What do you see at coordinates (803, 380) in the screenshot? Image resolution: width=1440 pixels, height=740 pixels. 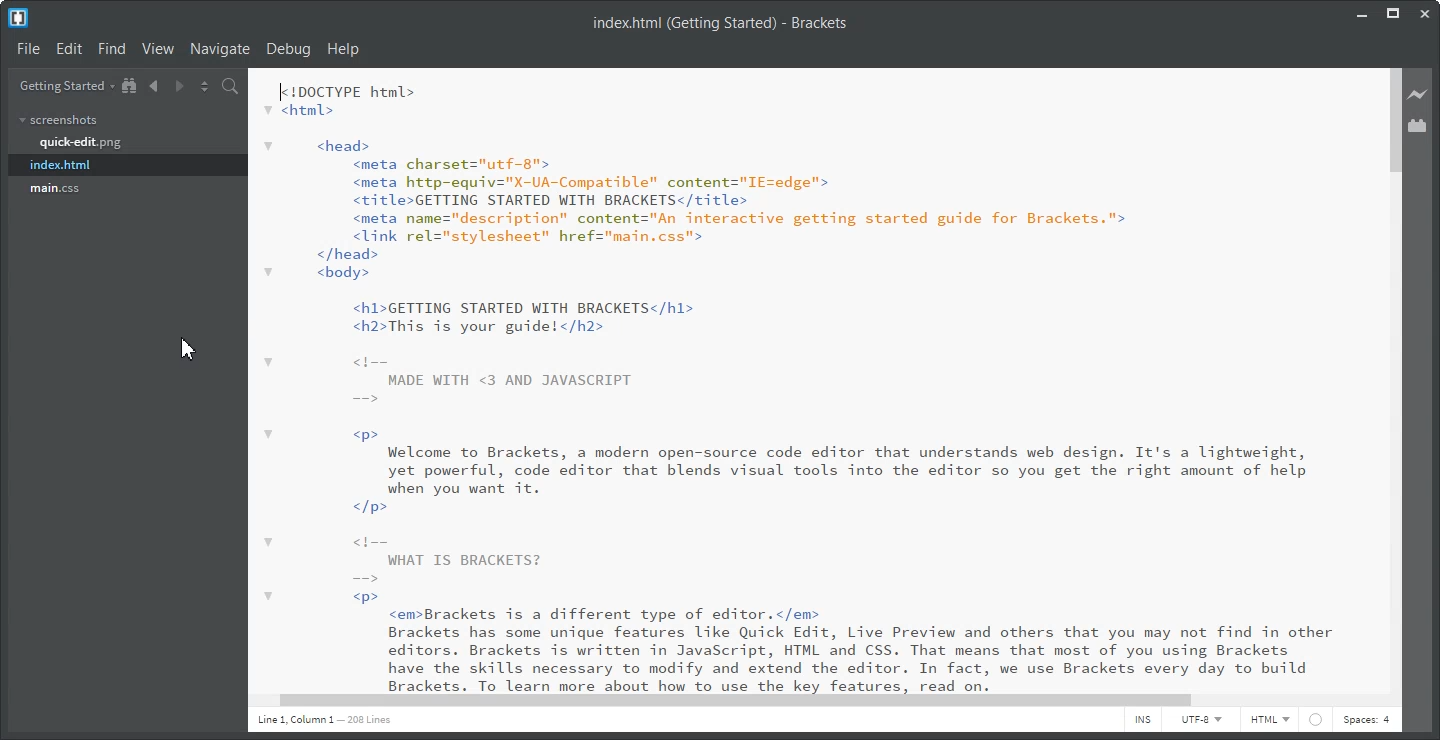 I see `code editor` at bounding box center [803, 380].